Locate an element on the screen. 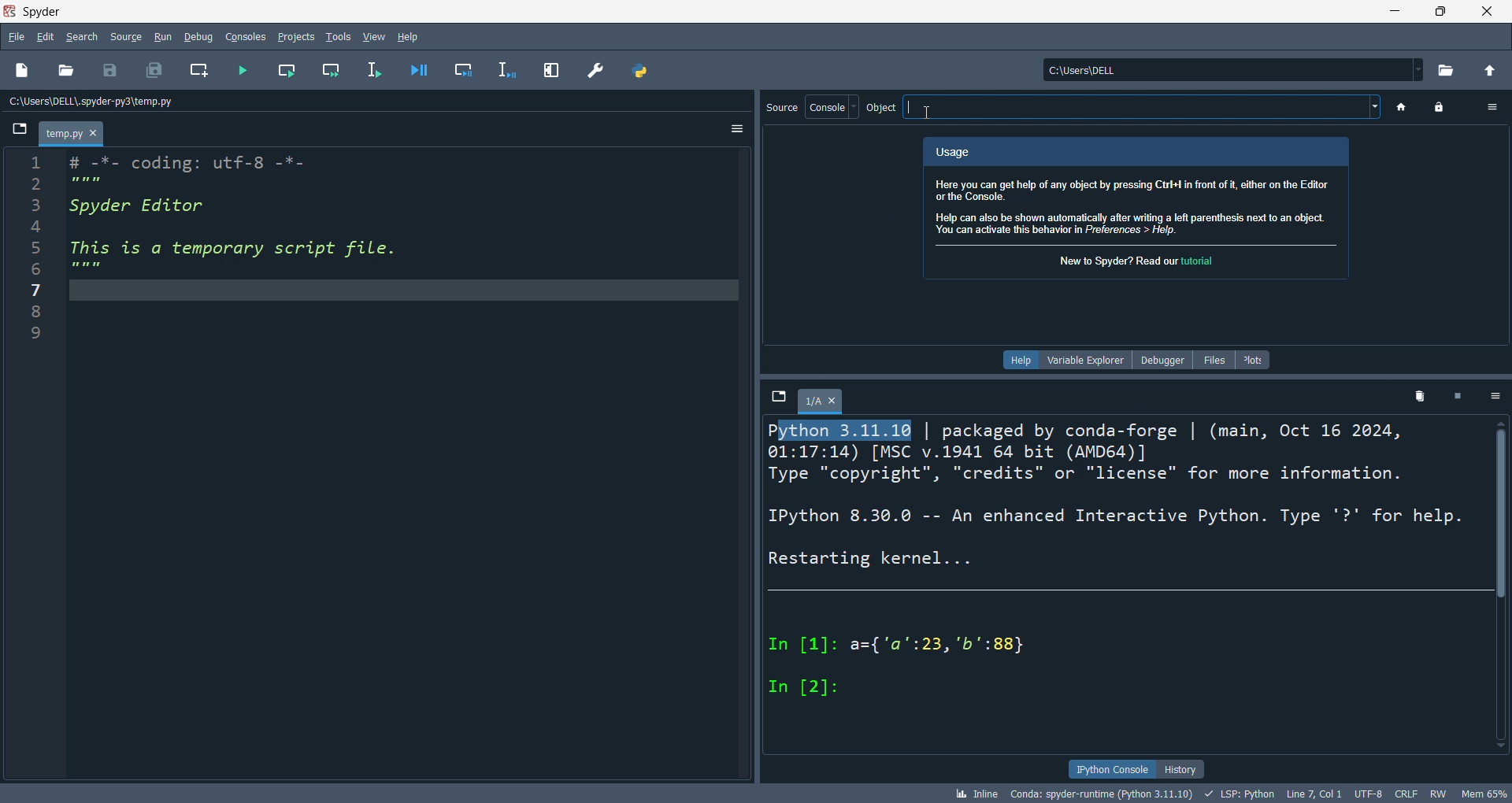 The height and width of the screenshot is (803, 1512). Spyder is located at coordinates (40, 11).